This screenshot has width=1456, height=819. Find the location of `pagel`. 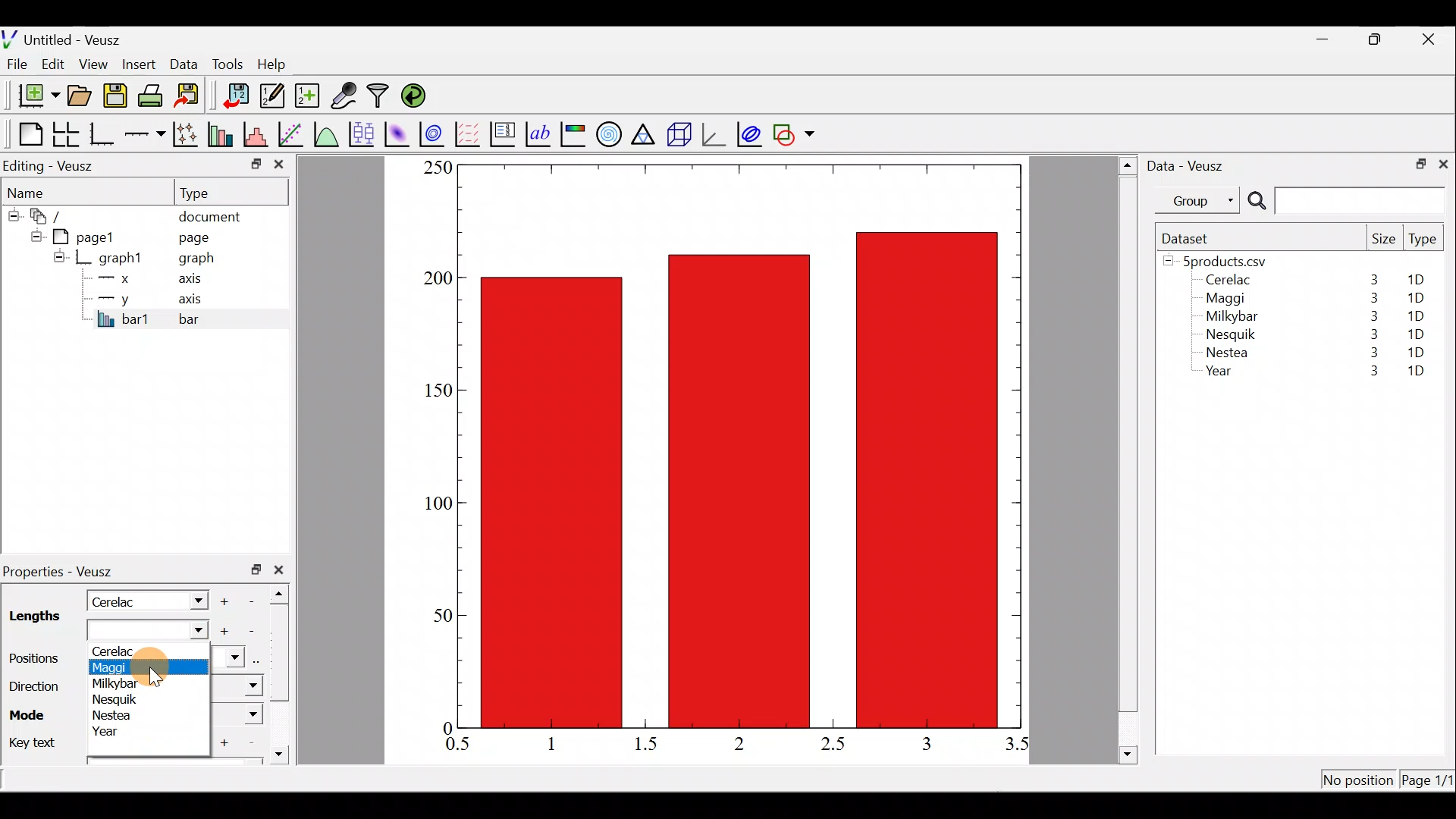

pagel is located at coordinates (90, 235).